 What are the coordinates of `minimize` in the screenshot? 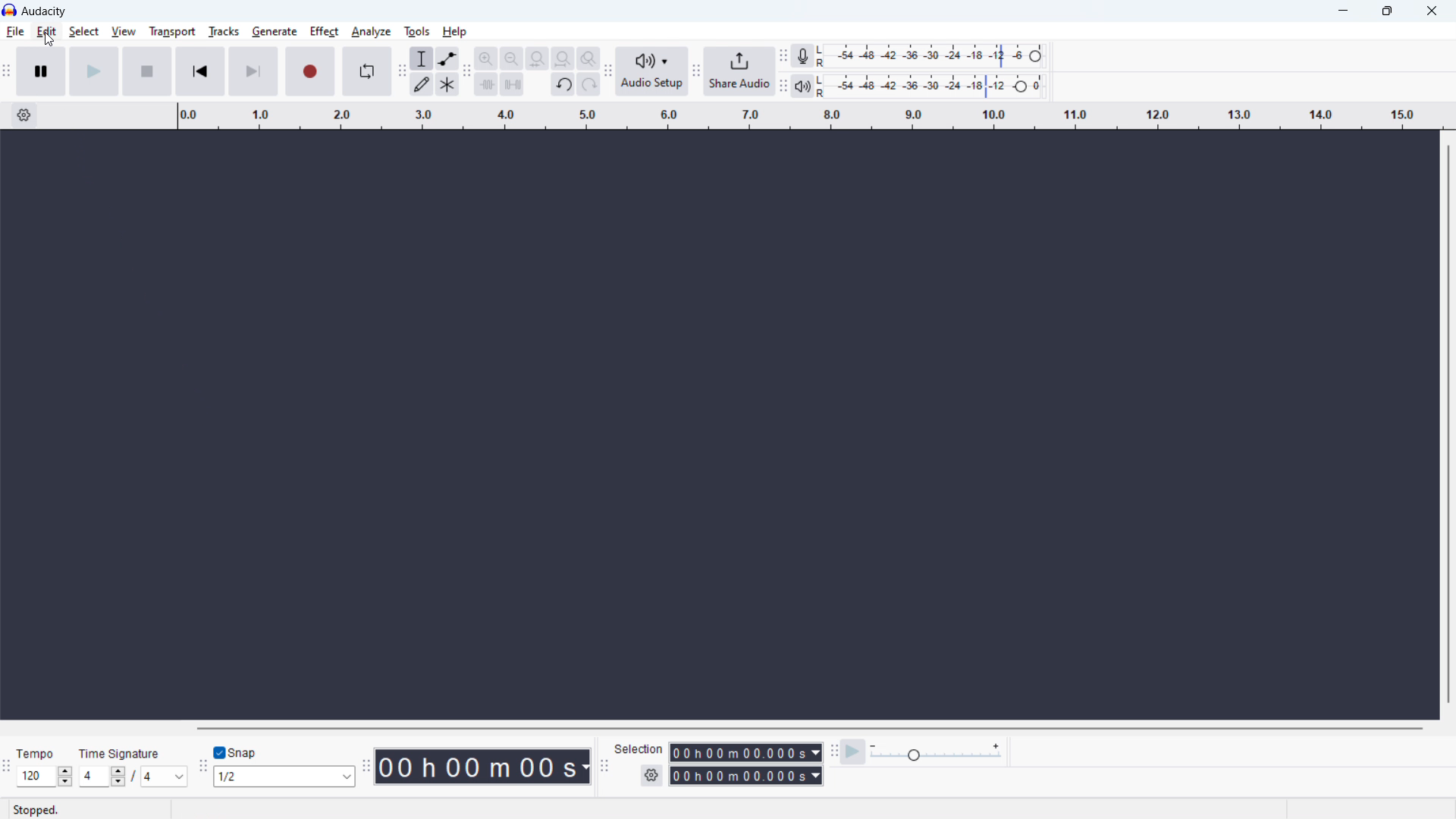 It's located at (1341, 11).